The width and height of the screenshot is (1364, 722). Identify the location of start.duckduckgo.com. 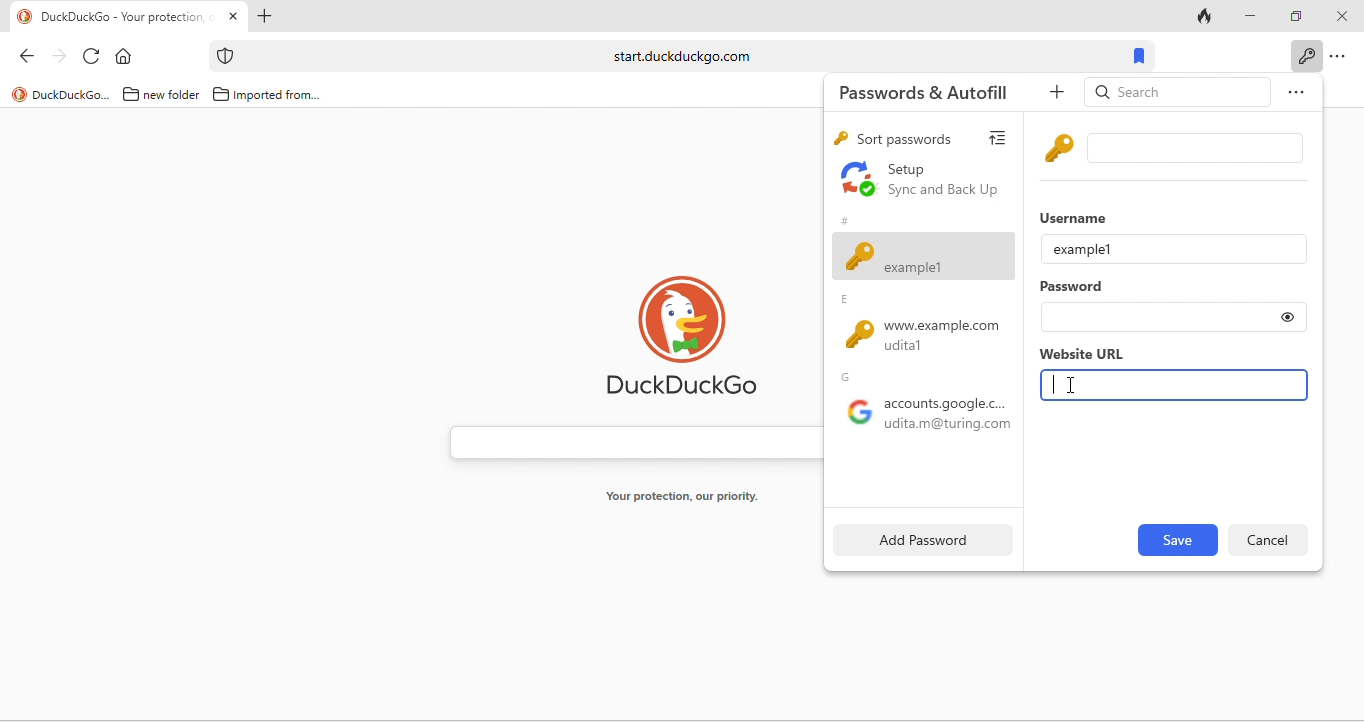
(680, 56).